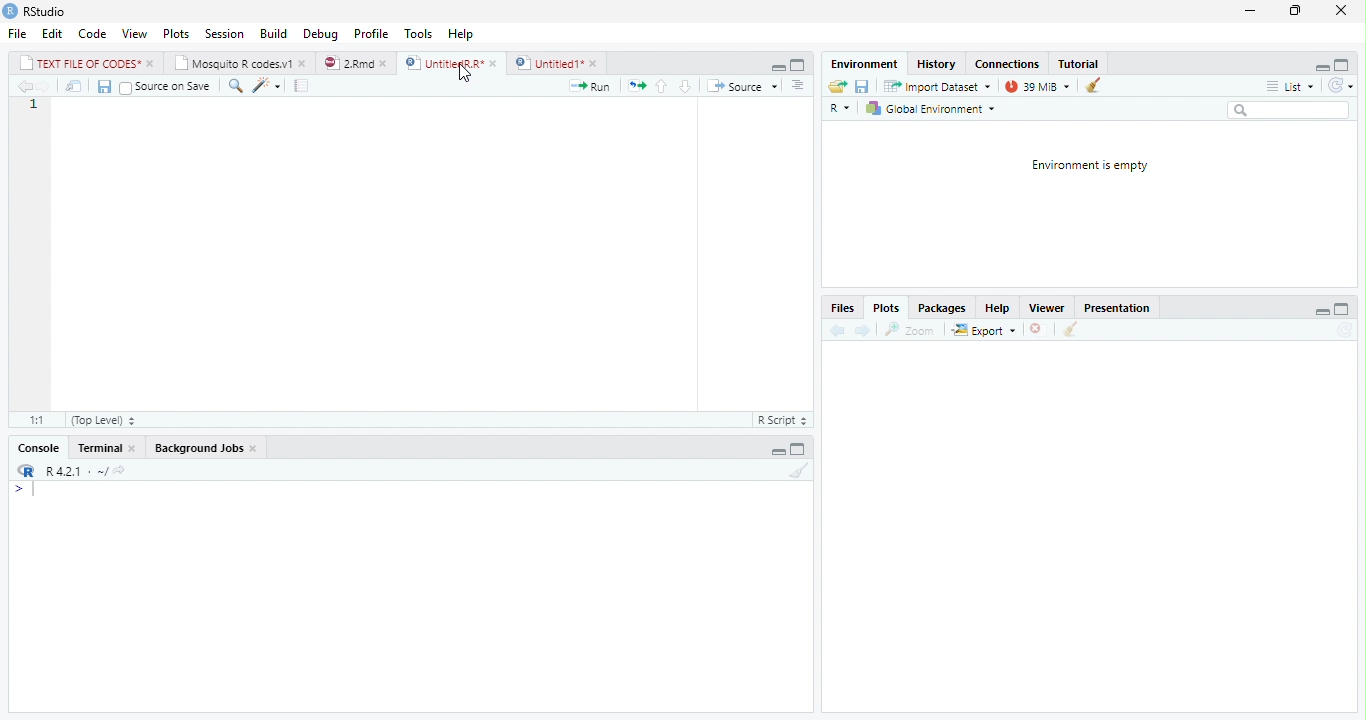 This screenshot has width=1366, height=720. What do you see at coordinates (23, 87) in the screenshot?
I see `Previous` at bounding box center [23, 87].